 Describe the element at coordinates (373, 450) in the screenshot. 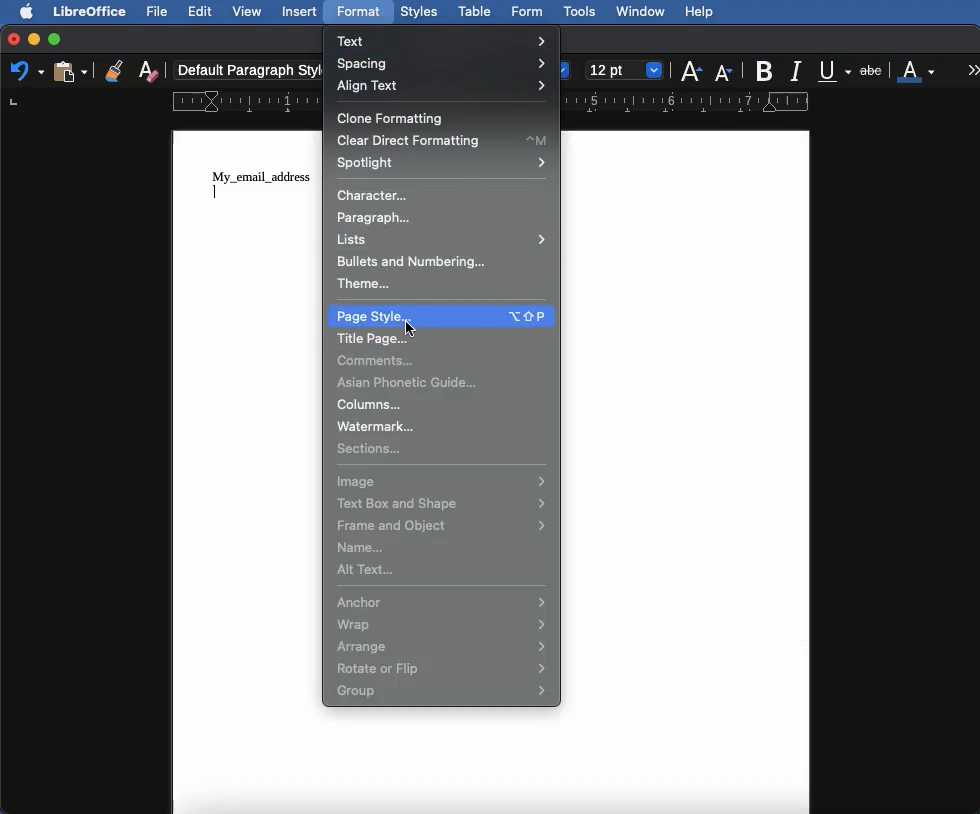

I see `Sections` at that location.